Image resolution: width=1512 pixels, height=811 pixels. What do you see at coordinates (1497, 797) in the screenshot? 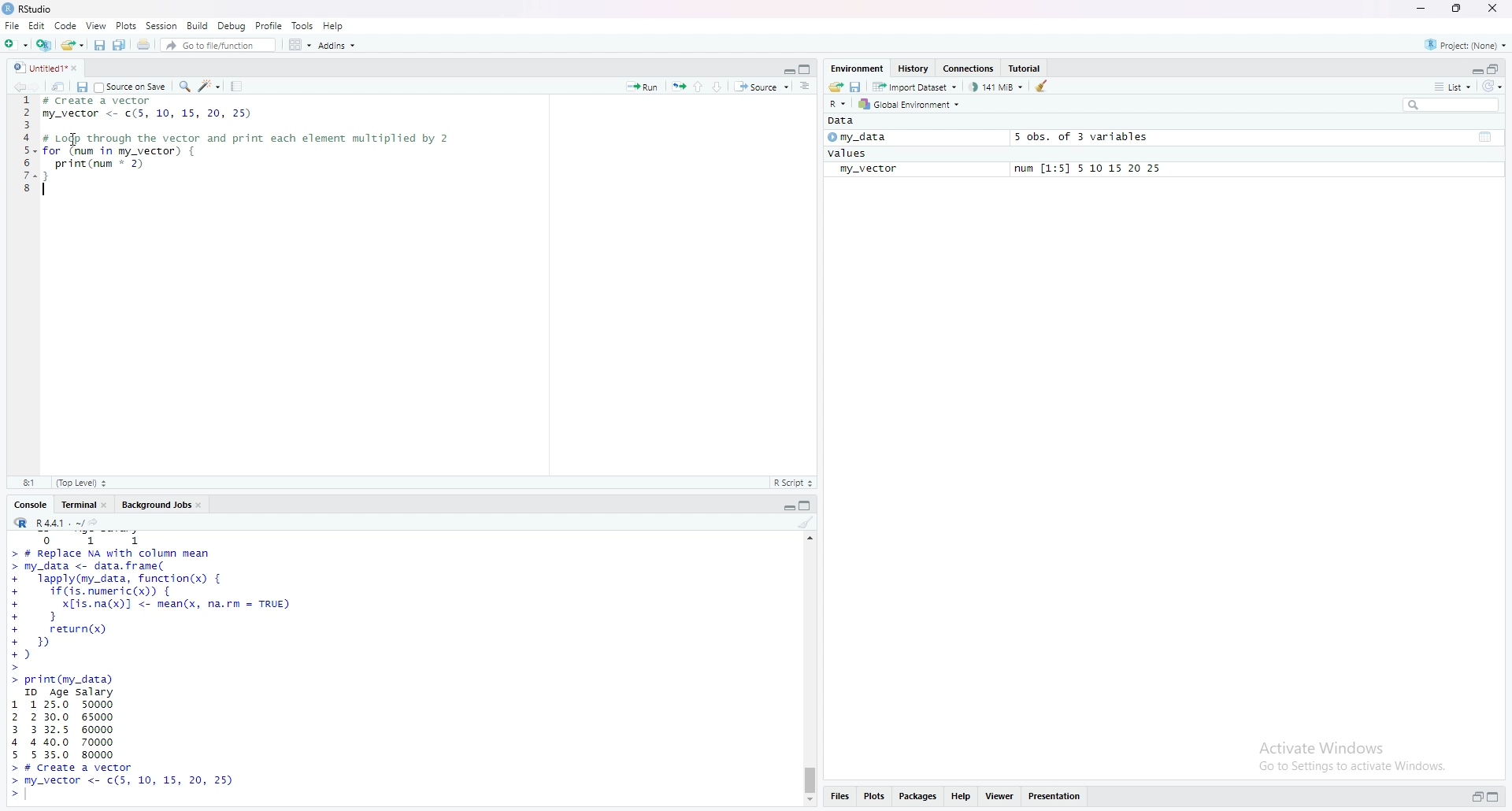
I see `collapse` at bounding box center [1497, 797].